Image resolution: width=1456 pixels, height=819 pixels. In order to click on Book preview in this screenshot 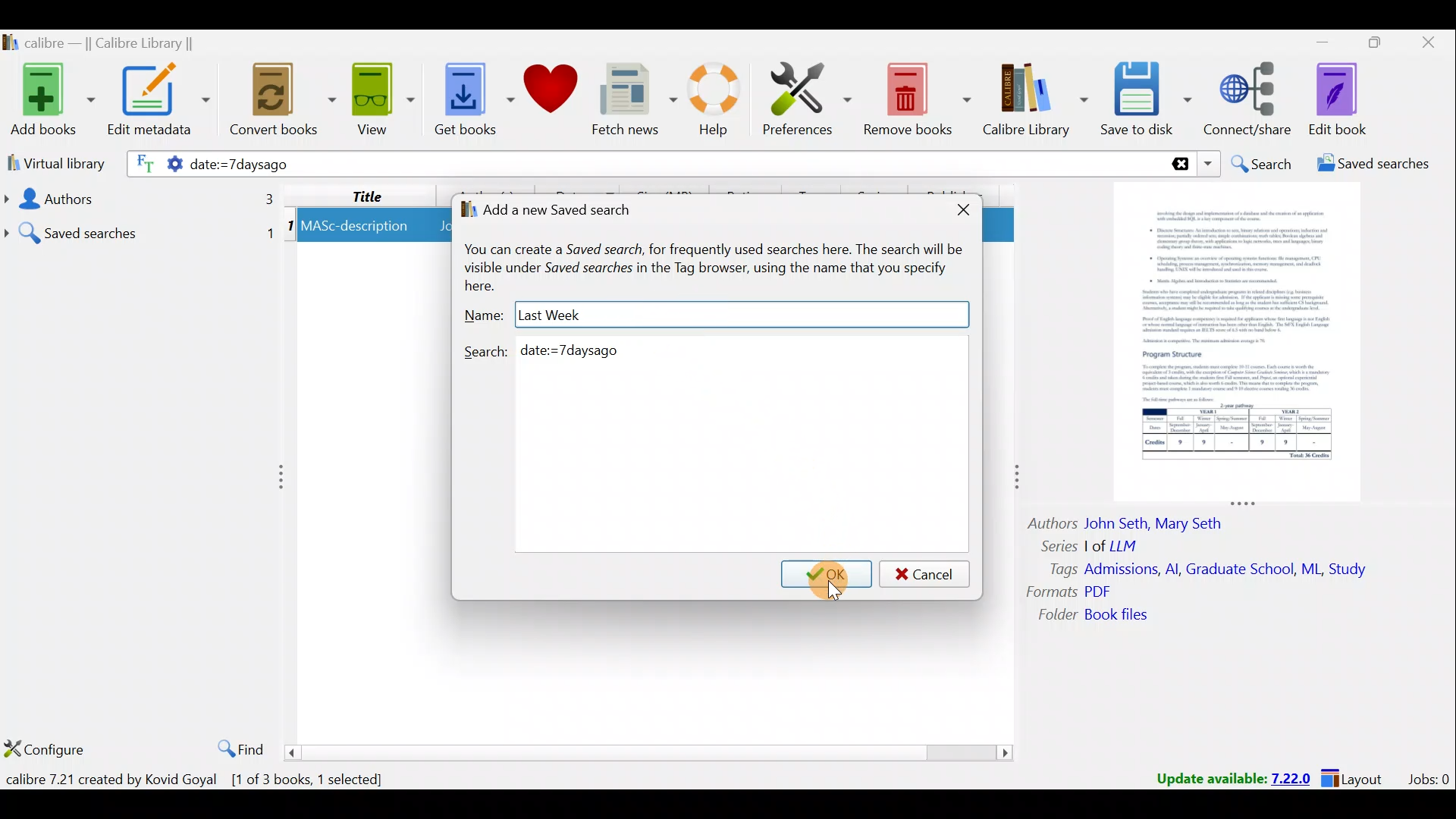, I will do `click(1244, 337)`.